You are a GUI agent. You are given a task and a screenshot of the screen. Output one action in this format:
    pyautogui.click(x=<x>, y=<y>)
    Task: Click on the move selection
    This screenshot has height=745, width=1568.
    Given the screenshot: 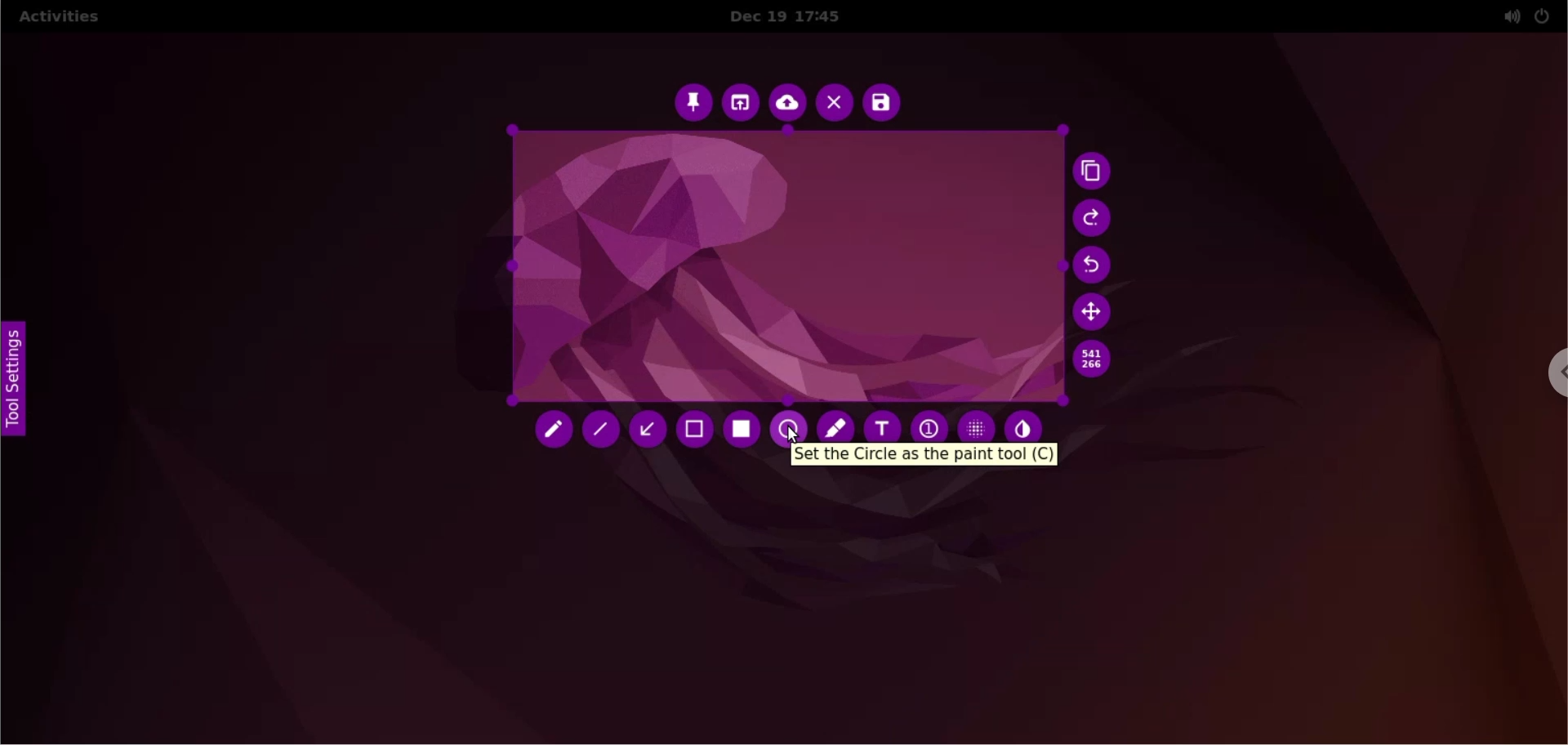 What is the action you would take?
    pyautogui.click(x=1095, y=311)
    